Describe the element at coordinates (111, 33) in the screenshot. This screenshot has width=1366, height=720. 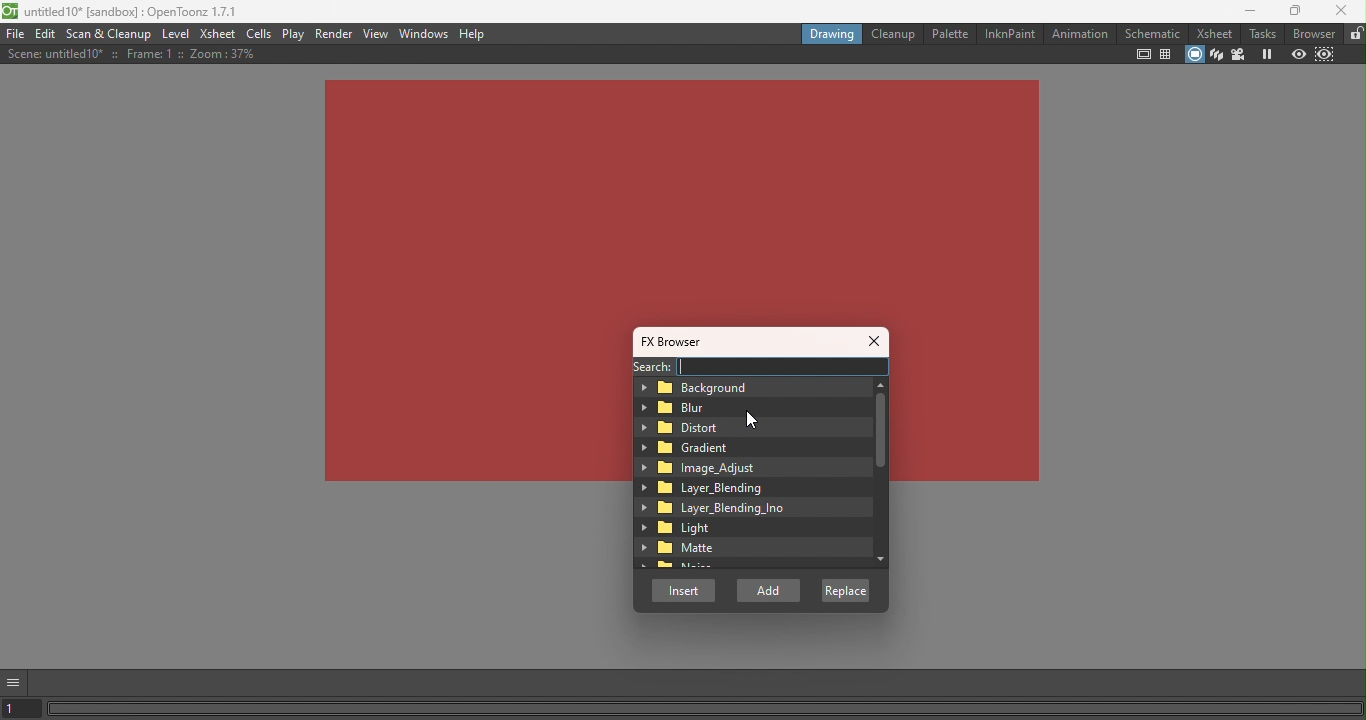
I see `Scan & Cleanup` at that location.